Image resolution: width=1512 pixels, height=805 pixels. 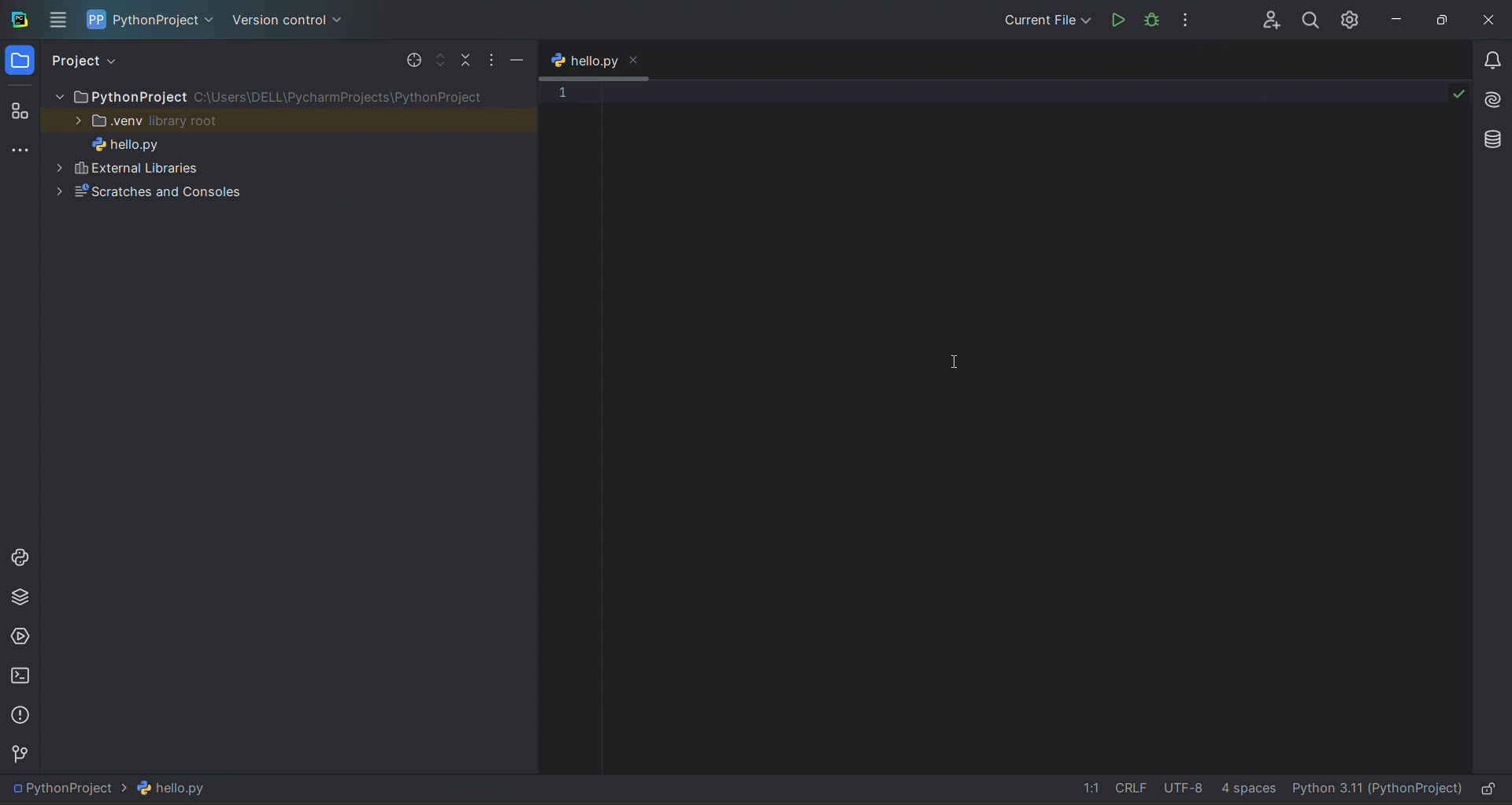 What do you see at coordinates (302, 18) in the screenshot?
I see `version control` at bounding box center [302, 18].